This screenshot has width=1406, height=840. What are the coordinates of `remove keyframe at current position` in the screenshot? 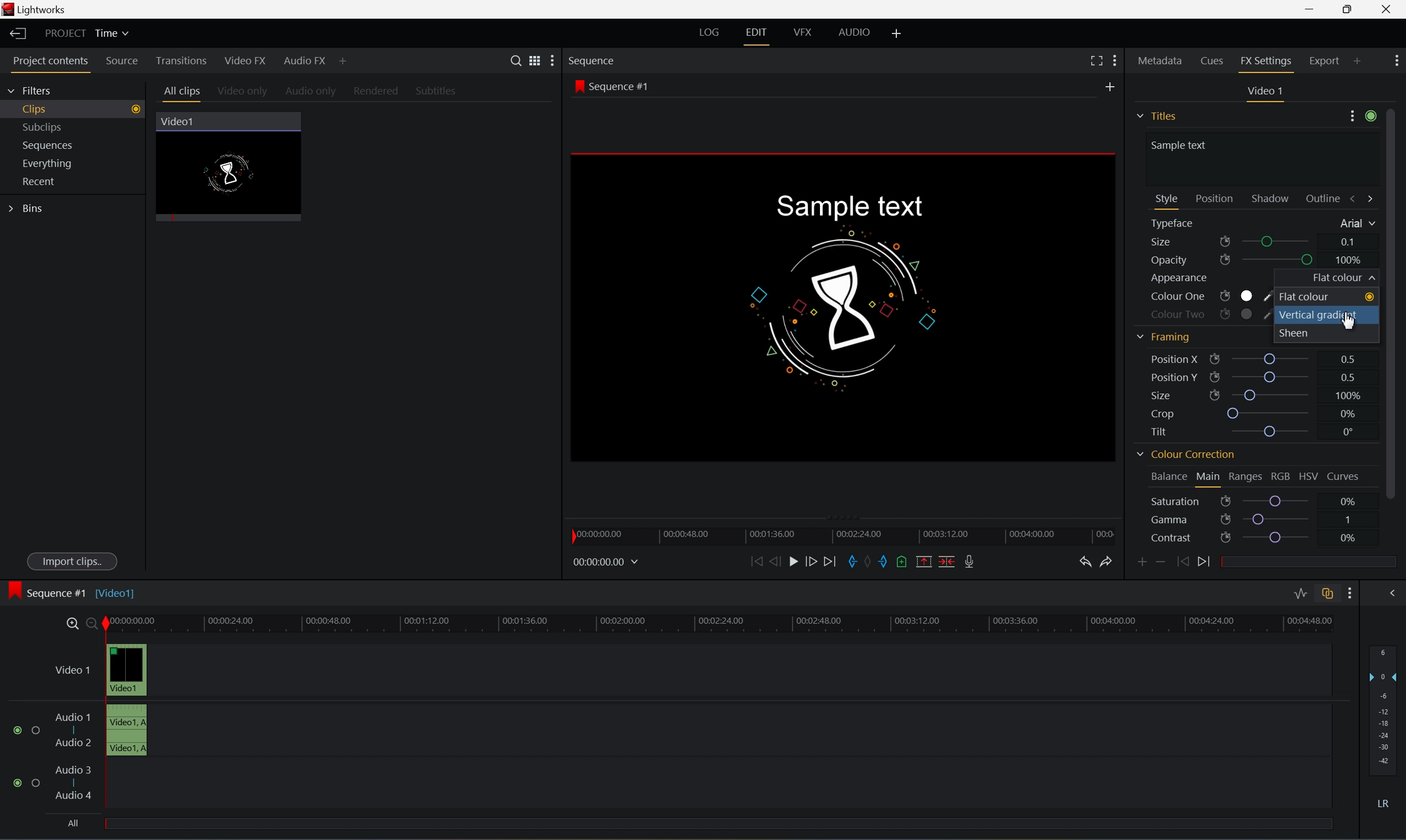 It's located at (1160, 560).